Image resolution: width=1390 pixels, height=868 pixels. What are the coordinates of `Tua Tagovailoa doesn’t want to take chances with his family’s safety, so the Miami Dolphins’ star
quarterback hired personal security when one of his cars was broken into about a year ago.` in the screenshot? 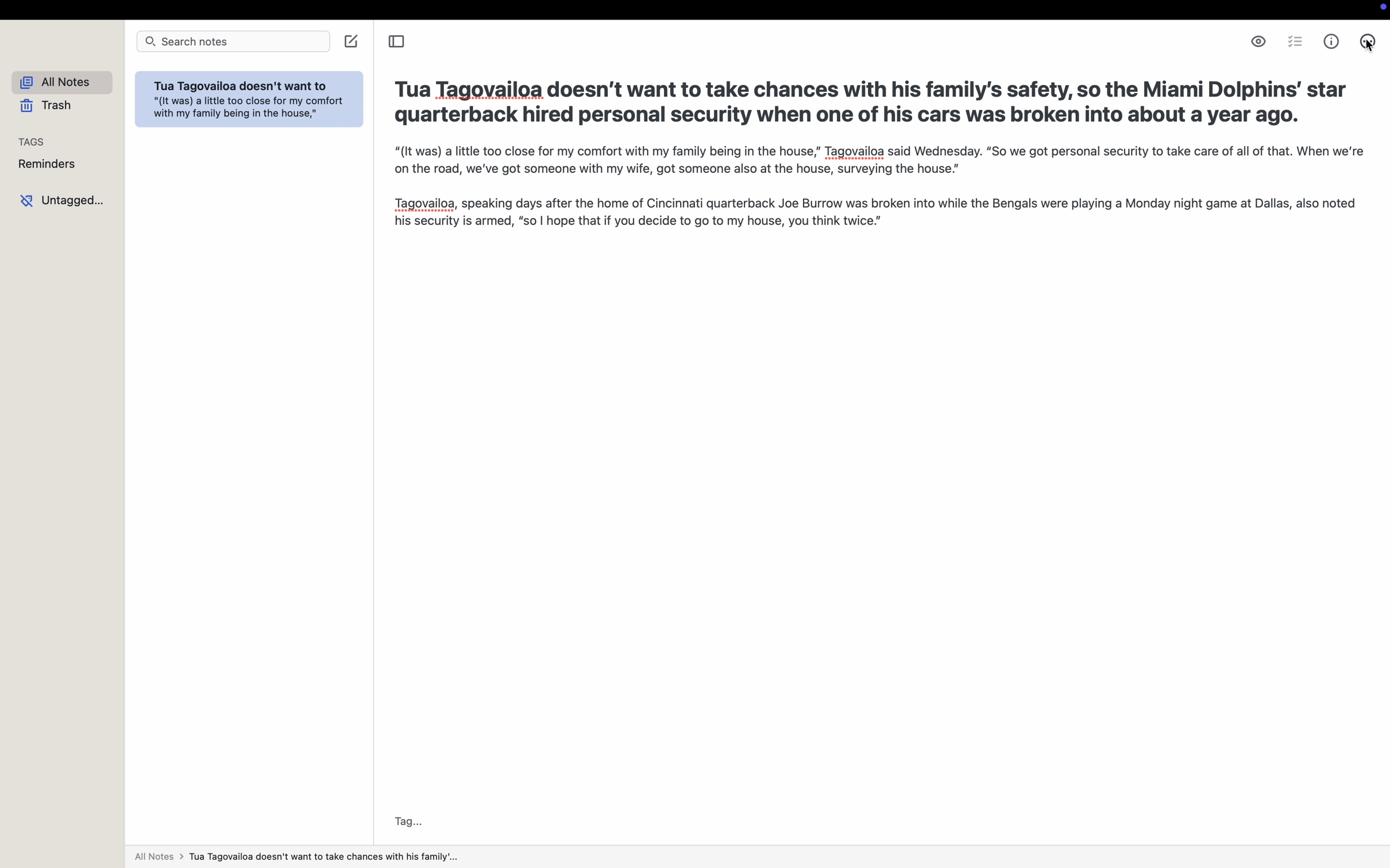 It's located at (871, 102).